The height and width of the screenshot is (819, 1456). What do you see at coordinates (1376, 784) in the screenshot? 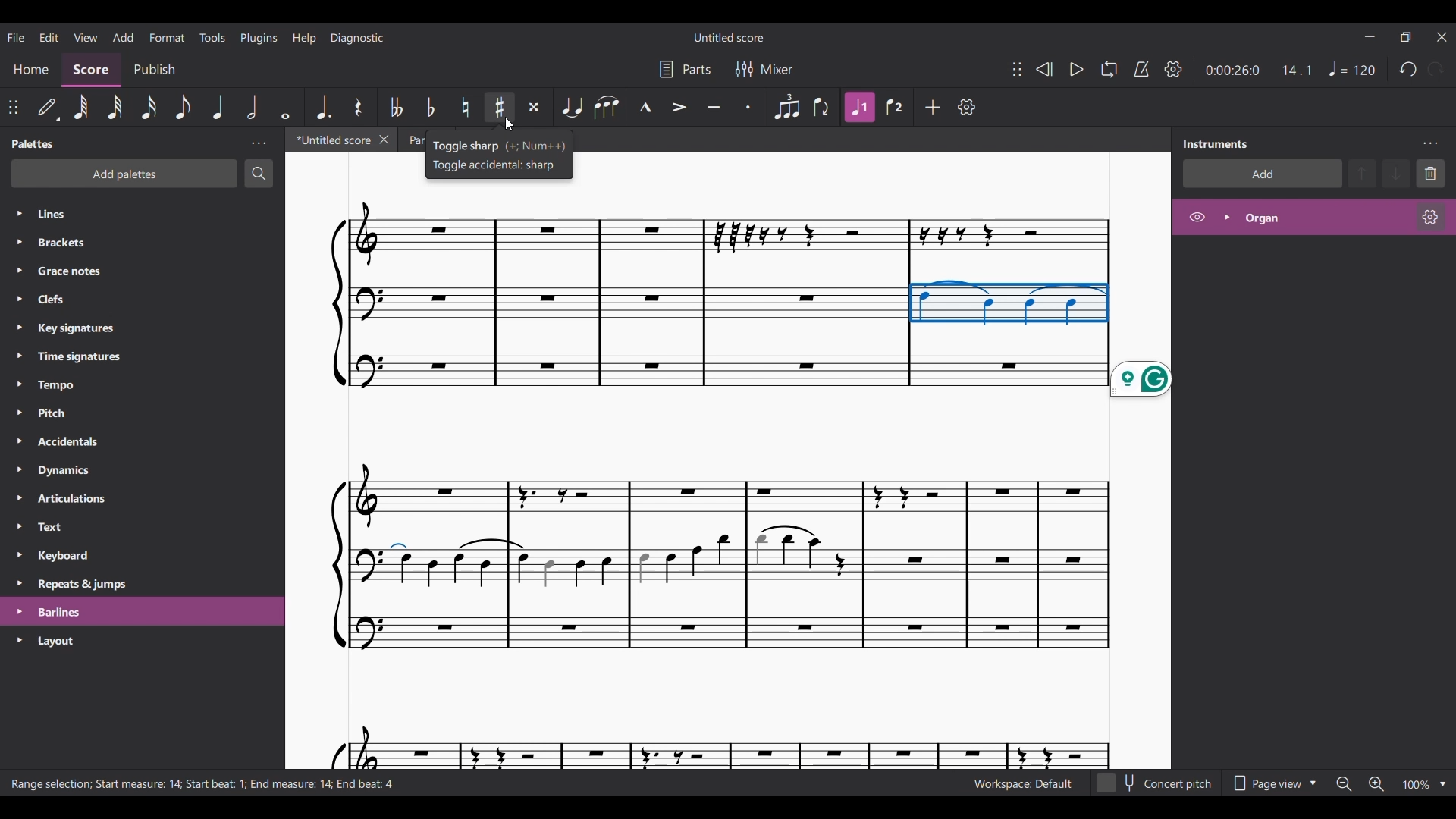
I see `Zoom in` at bounding box center [1376, 784].